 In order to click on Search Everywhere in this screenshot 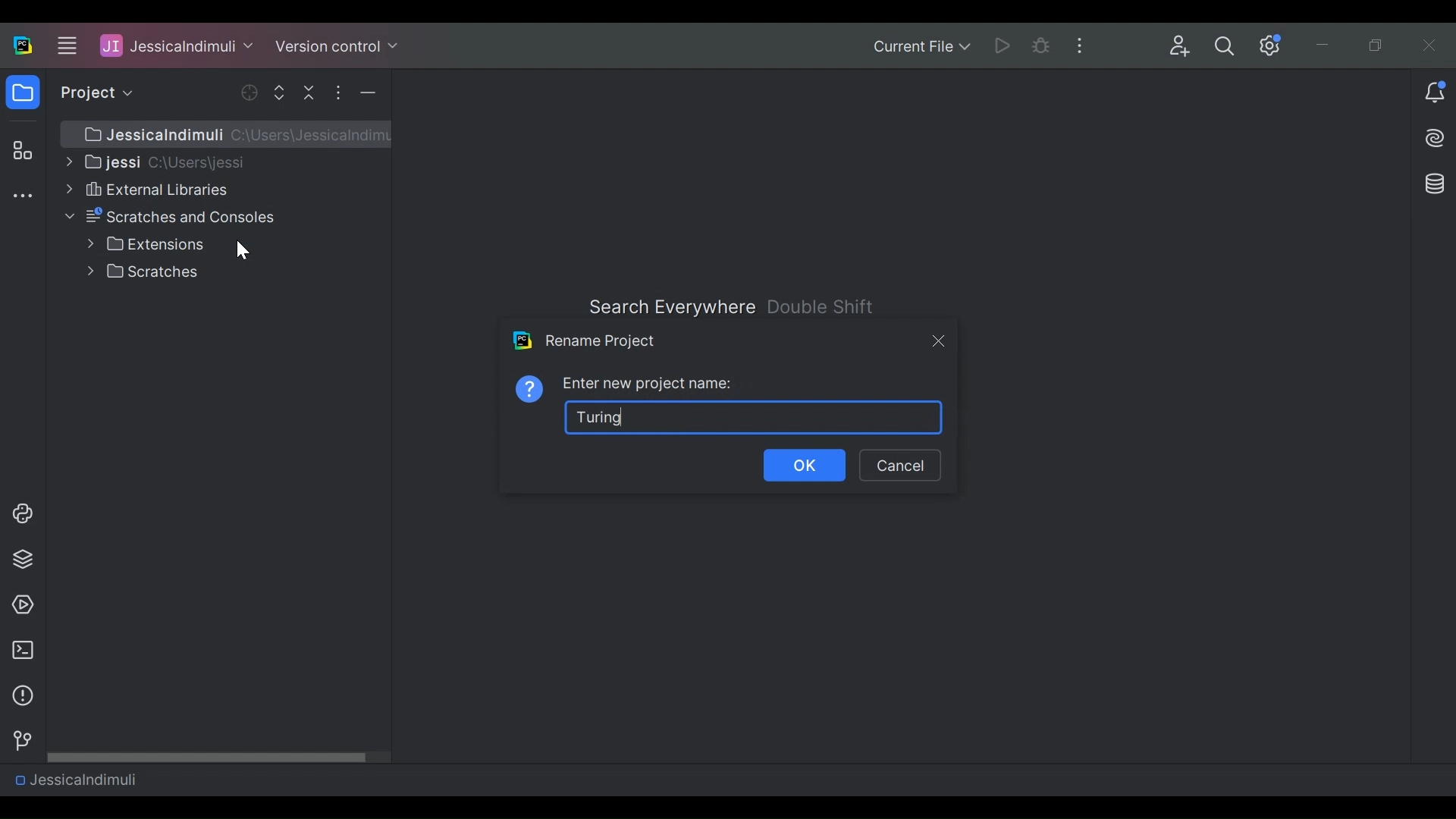, I will do `click(670, 307)`.